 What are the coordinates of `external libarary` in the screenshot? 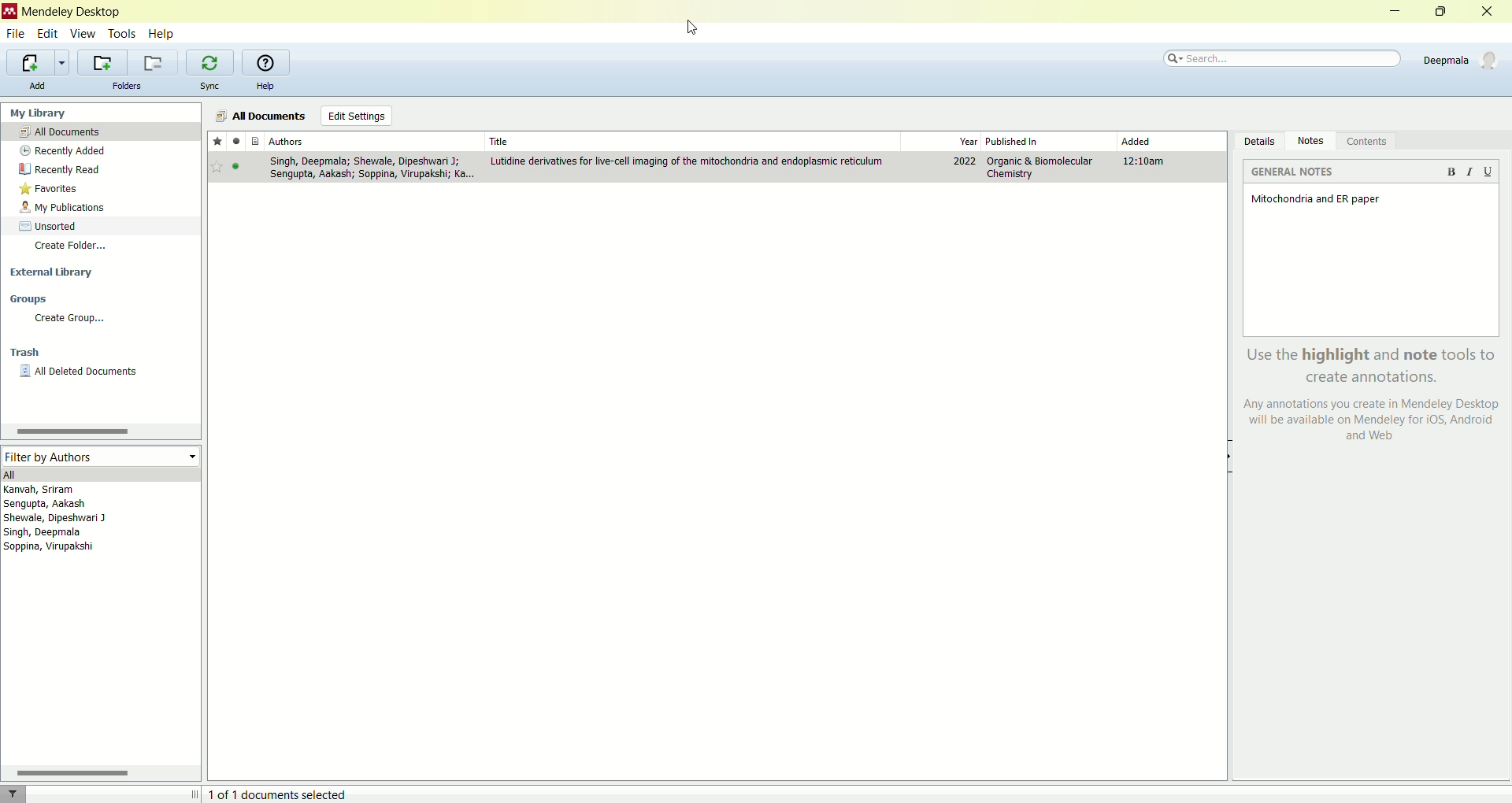 It's located at (101, 270).